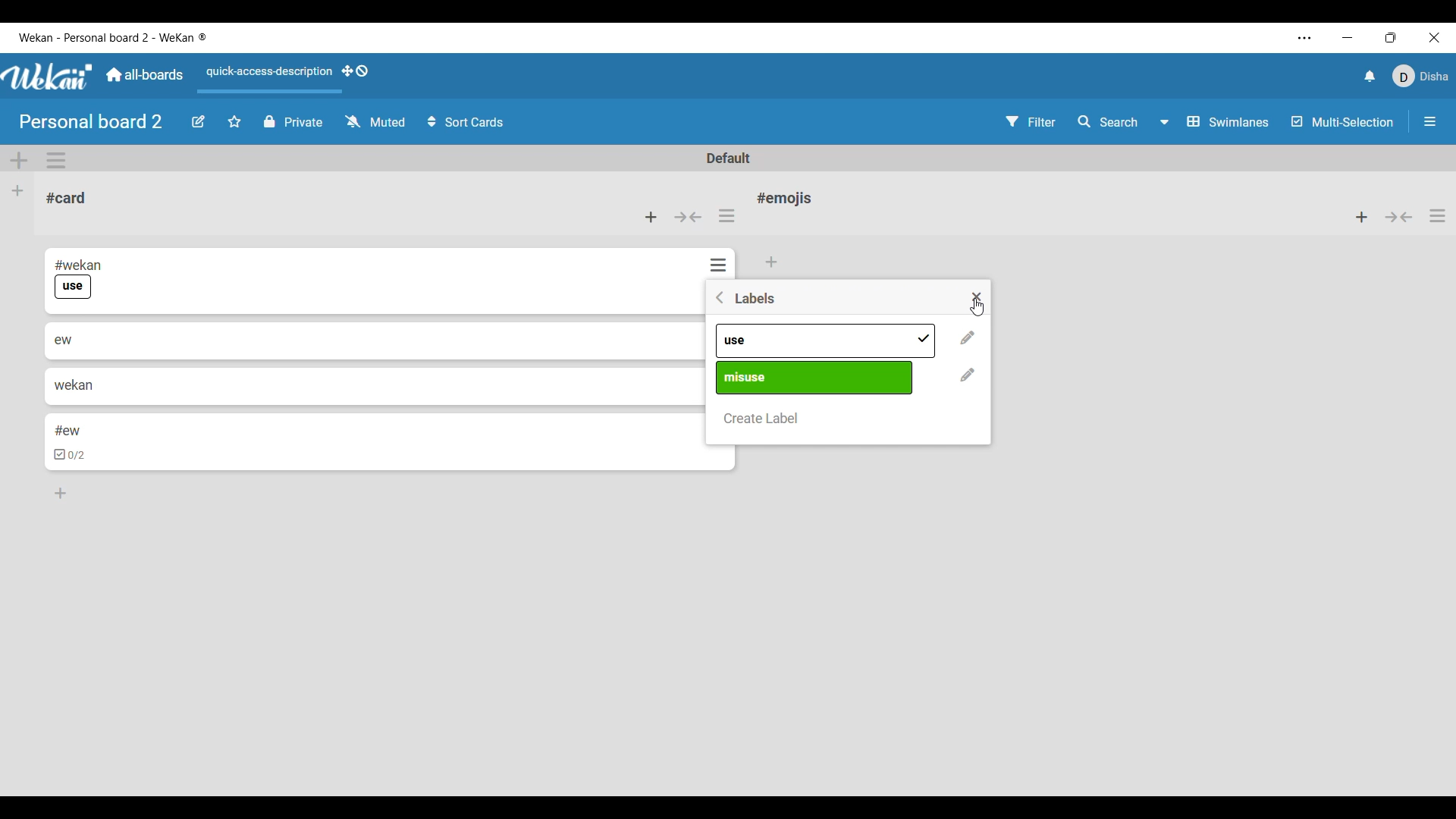 This screenshot has height=819, width=1456. I want to click on Notifications , so click(1370, 77).